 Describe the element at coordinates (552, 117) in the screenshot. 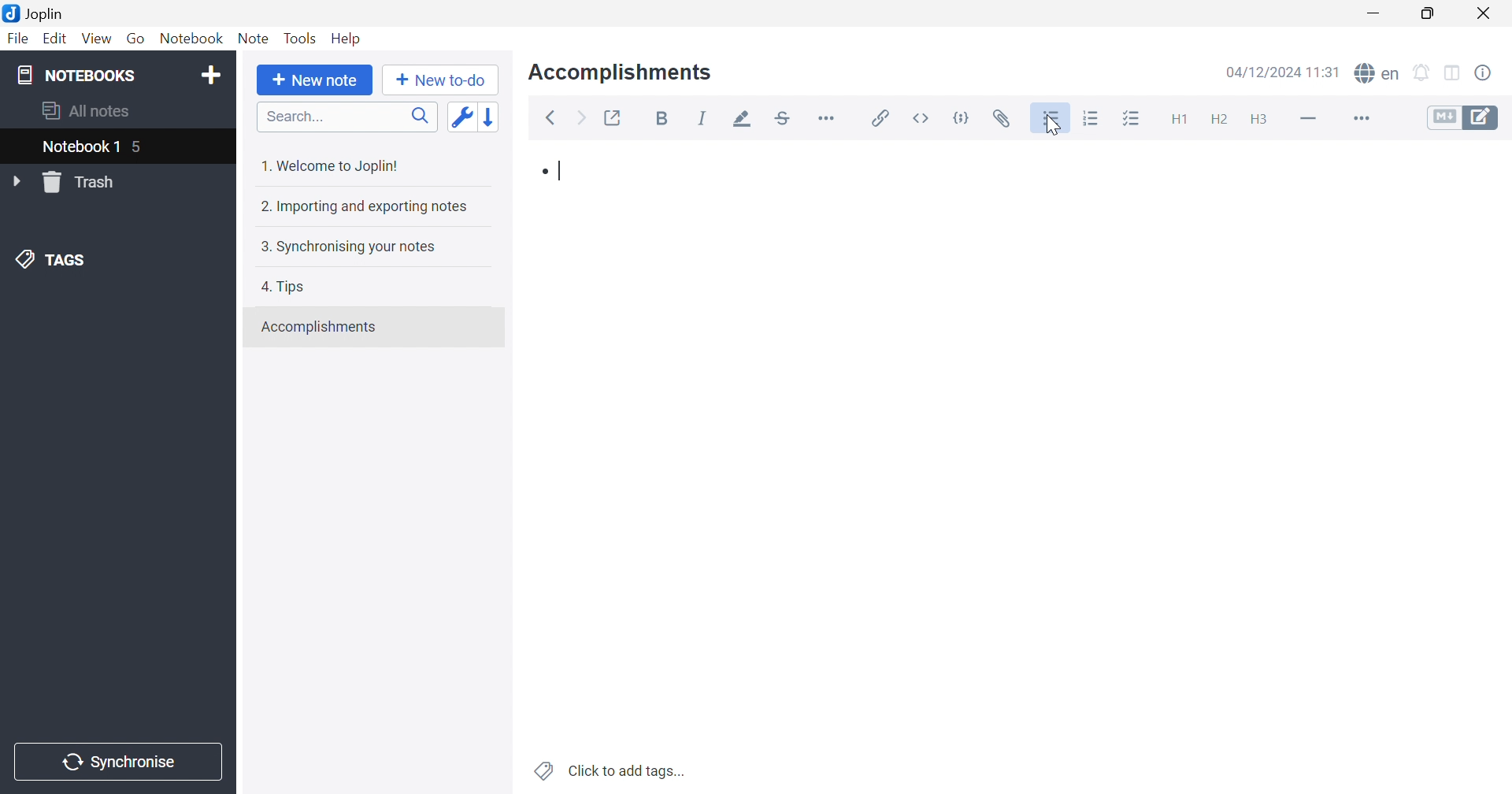

I see `Back` at that location.